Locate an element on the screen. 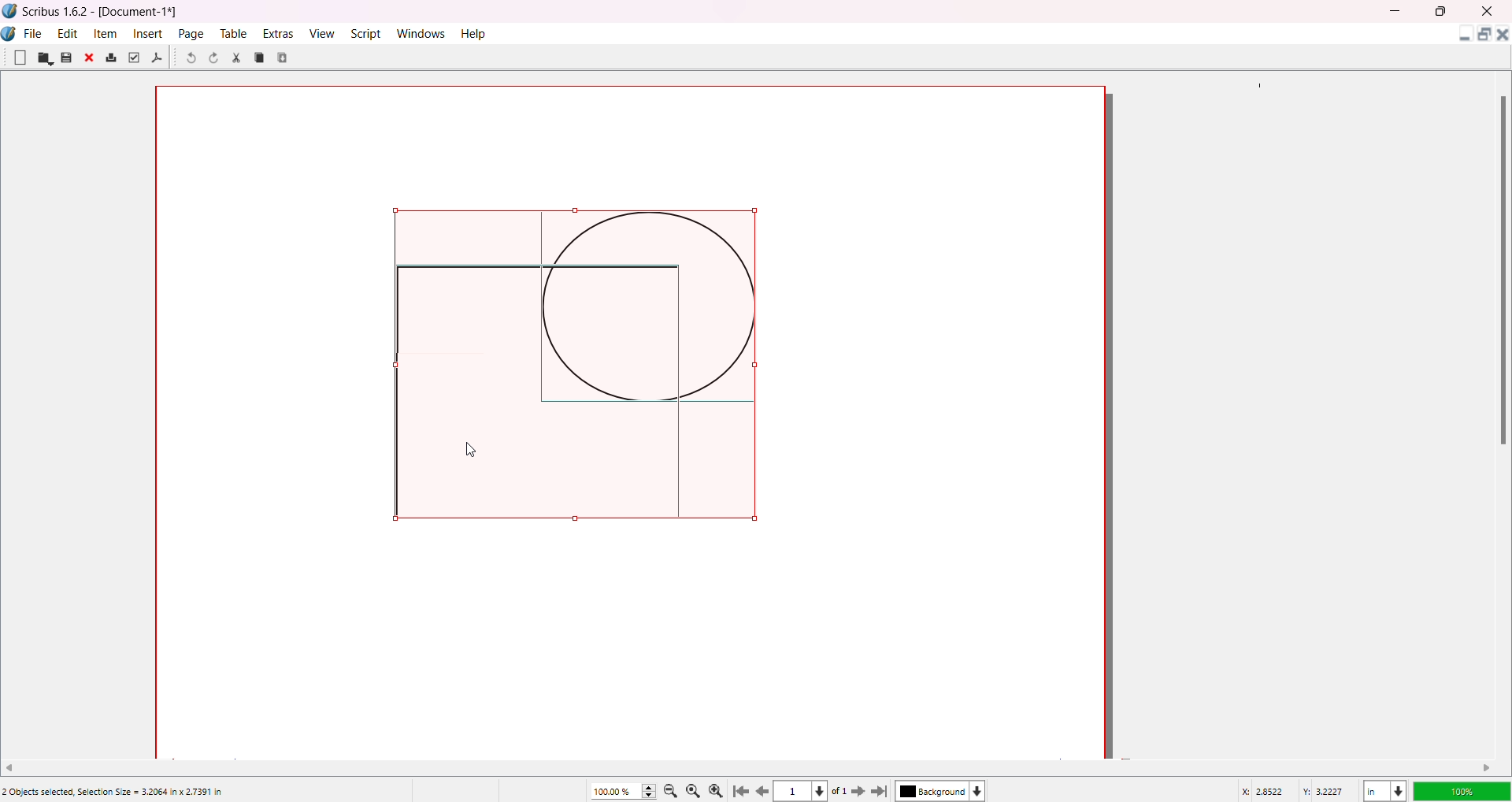 The height and width of the screenshot is (802, 1512). Zoom to 100 is located at coordinates (696, 789).